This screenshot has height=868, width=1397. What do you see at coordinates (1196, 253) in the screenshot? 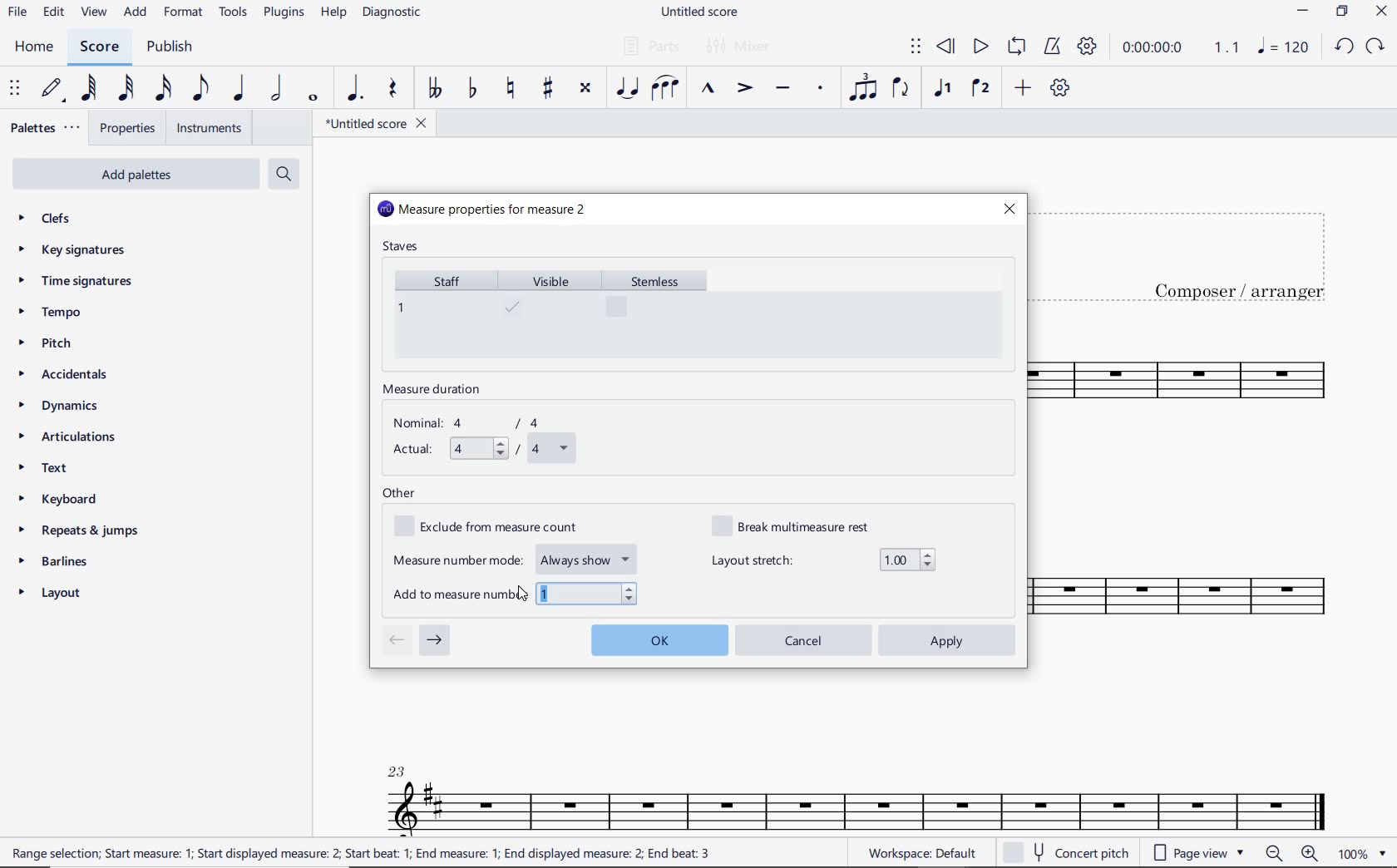
I see `title` at bounding box center [1196, 253].